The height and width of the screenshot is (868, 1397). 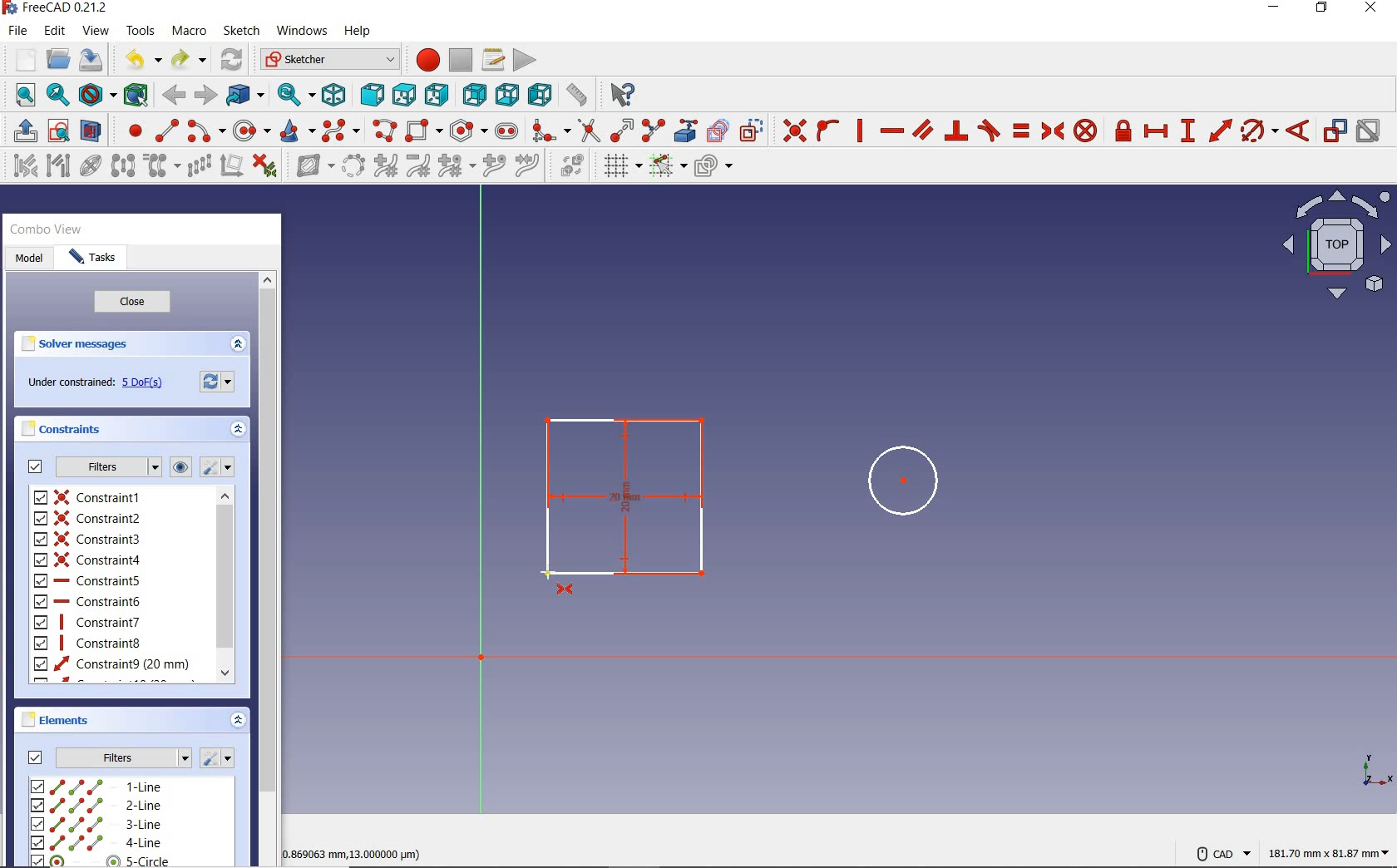 I want to click on windows, so click(x=304, y=31).